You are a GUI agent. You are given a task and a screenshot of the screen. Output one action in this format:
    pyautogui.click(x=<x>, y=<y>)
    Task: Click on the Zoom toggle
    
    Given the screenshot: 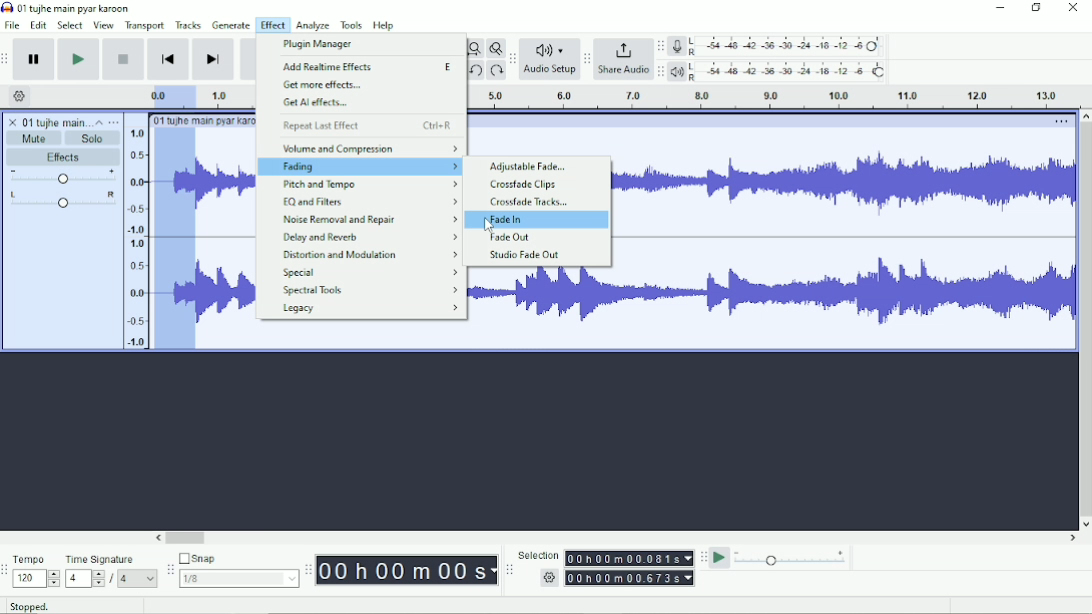 What is the action you would take?
    pyautogui.click(x=495, y=48)
    